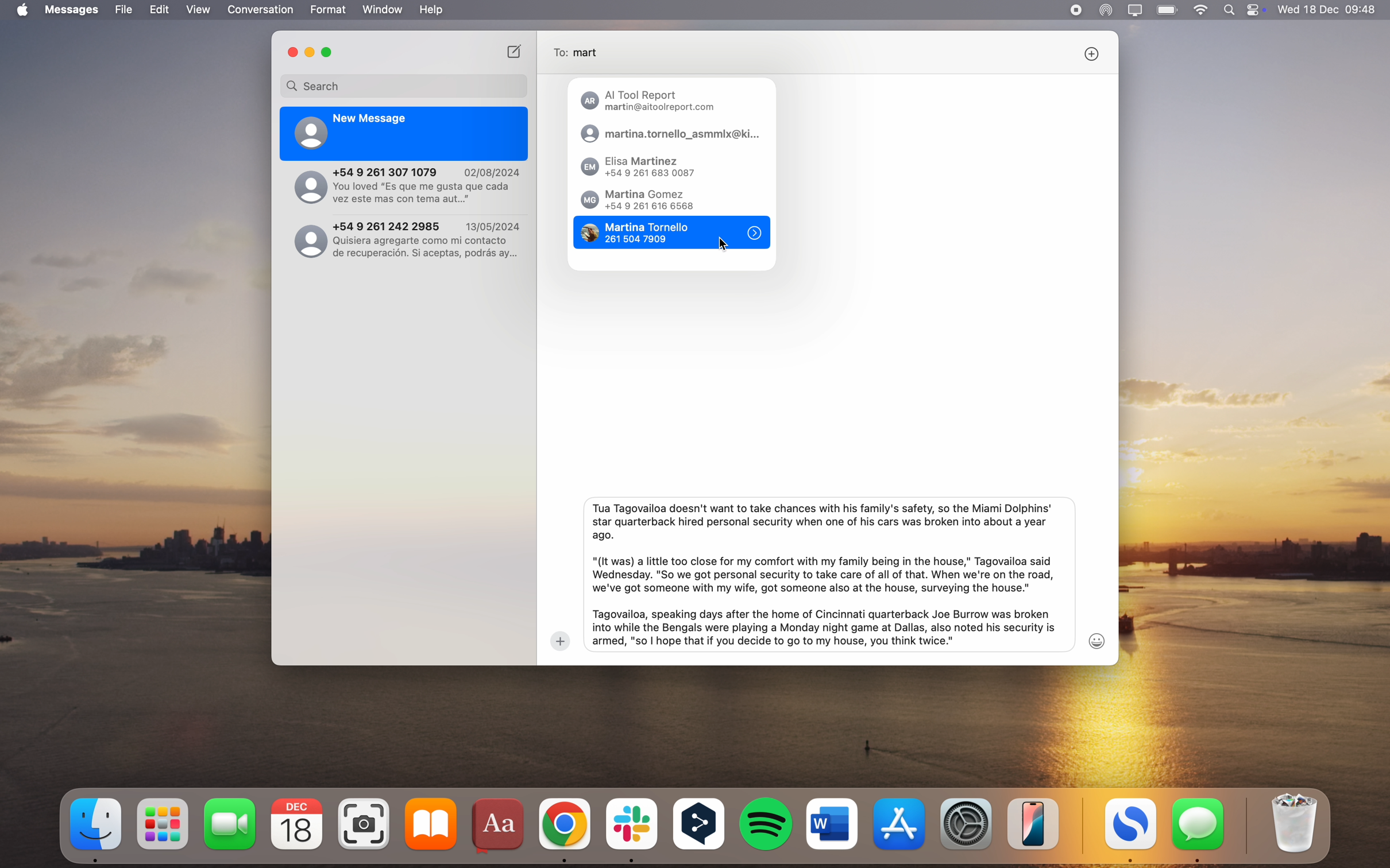 This screenshot has height=868, width=1390. I want to click on close app, so click(291, 52).